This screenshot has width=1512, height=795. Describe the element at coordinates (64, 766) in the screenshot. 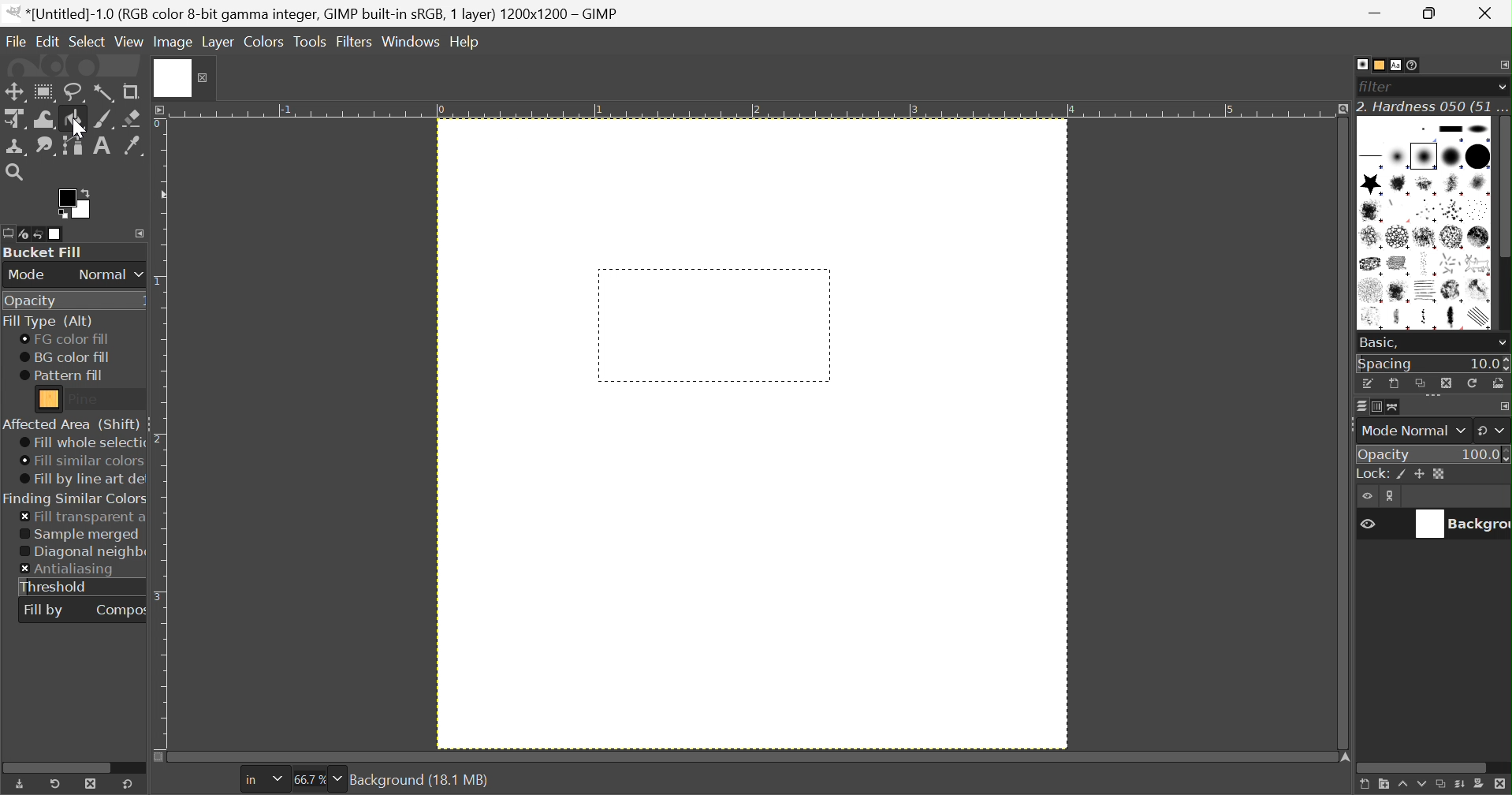

I see `Scroll bar` at that location.